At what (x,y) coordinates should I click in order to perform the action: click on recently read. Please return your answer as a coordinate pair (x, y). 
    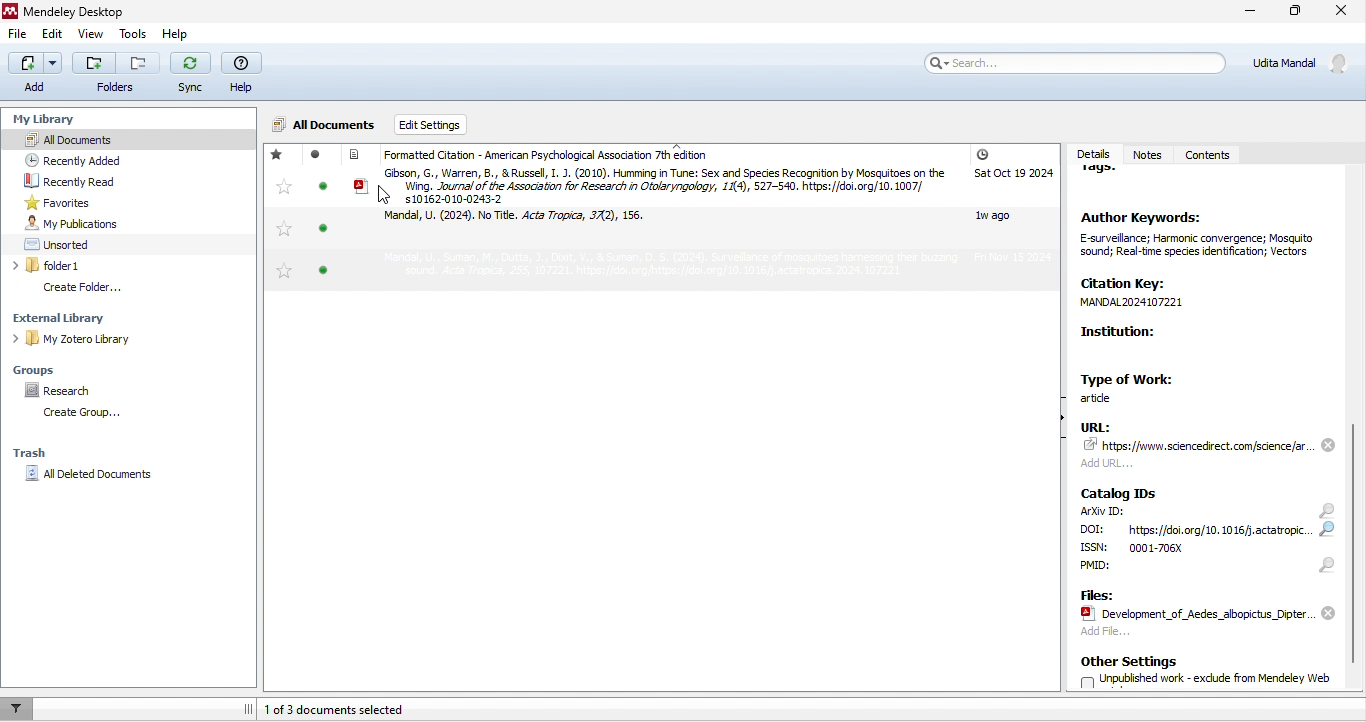
    Looking at the image, I should click on (91, 182).